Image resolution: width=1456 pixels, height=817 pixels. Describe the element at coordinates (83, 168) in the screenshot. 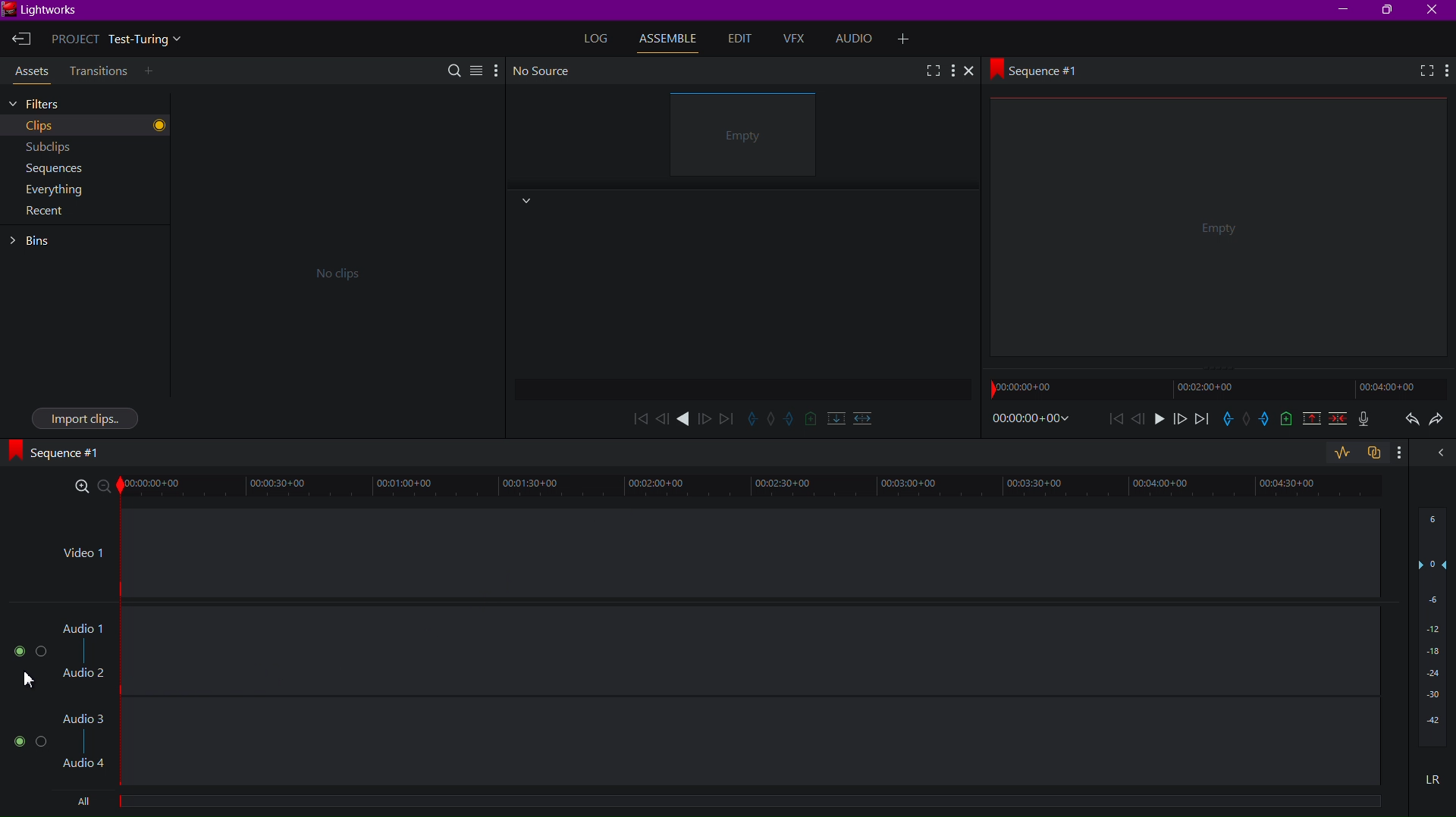

I see `Sequences` at that location.